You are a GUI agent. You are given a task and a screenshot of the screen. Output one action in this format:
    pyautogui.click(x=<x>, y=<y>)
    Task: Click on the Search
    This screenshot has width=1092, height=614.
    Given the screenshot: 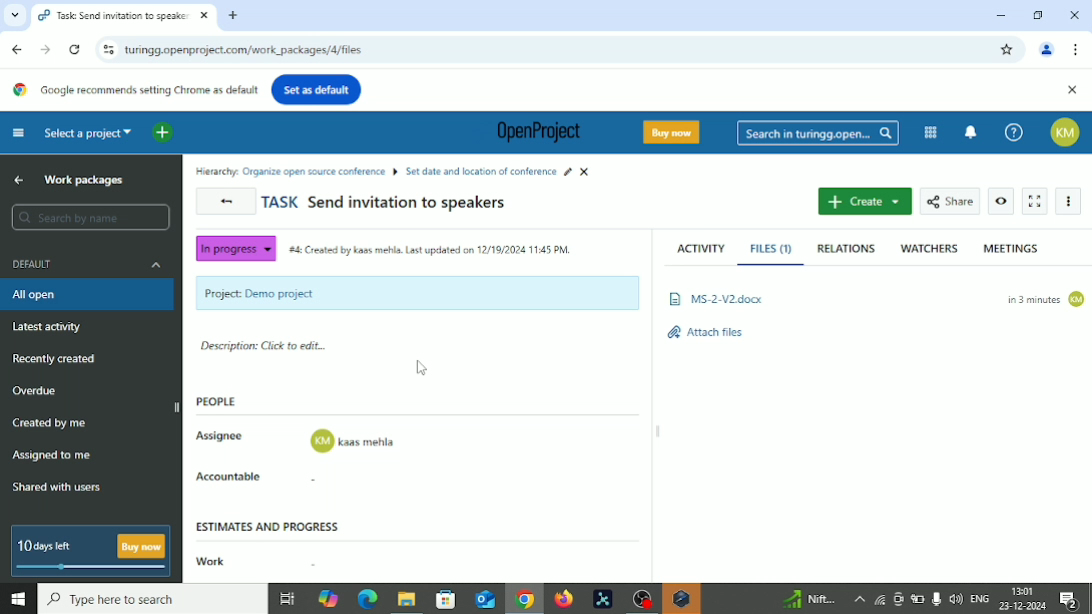 What is the action you would take?
    pyautogui.click(x=91, y=218)
    